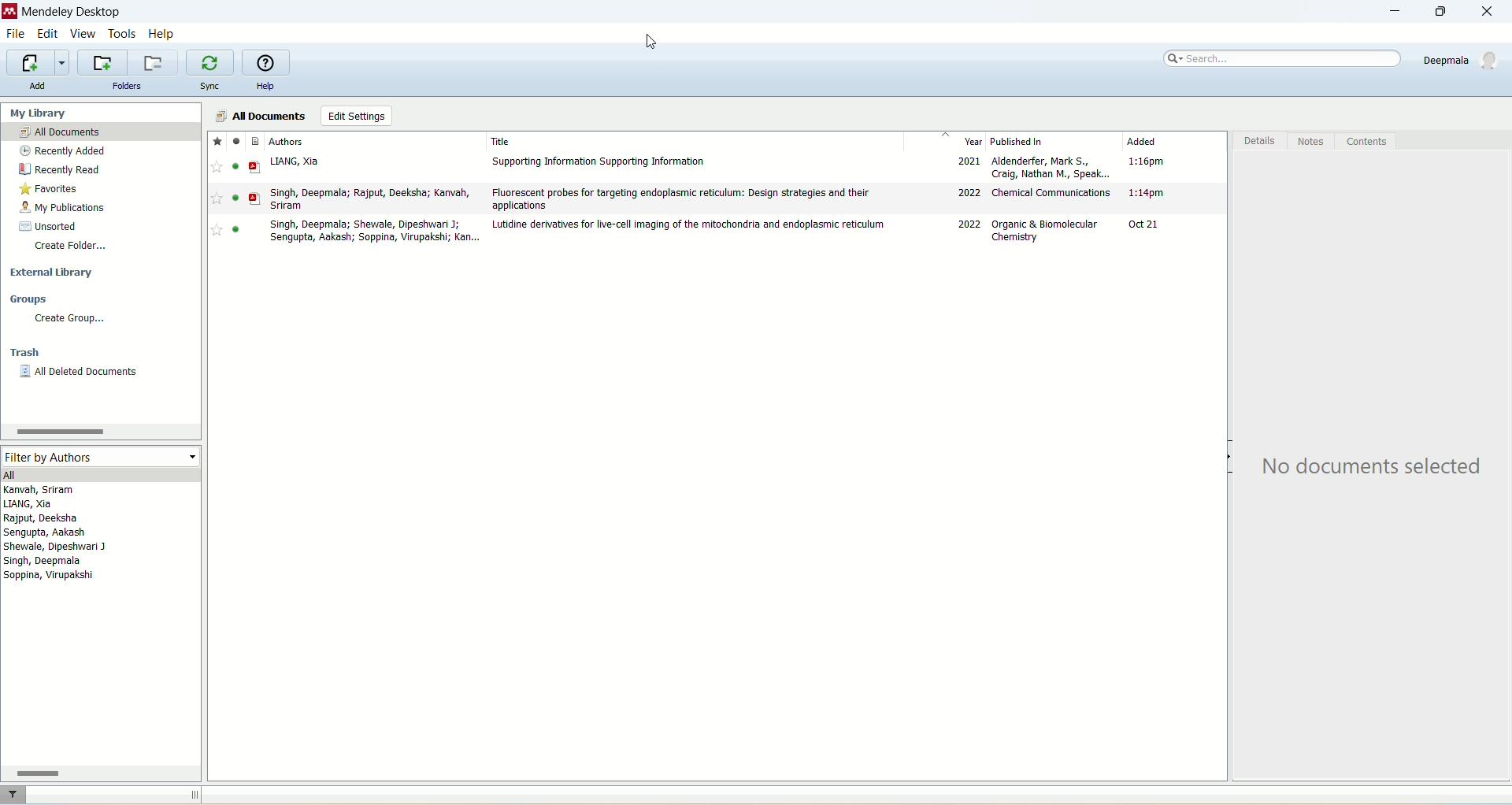 Image resolution: width=1512 pixels, height=805 pixels. What do you see at coordinates (1174, 143) in the screenshot?
I see `added` at bounding box center [1174, 143].